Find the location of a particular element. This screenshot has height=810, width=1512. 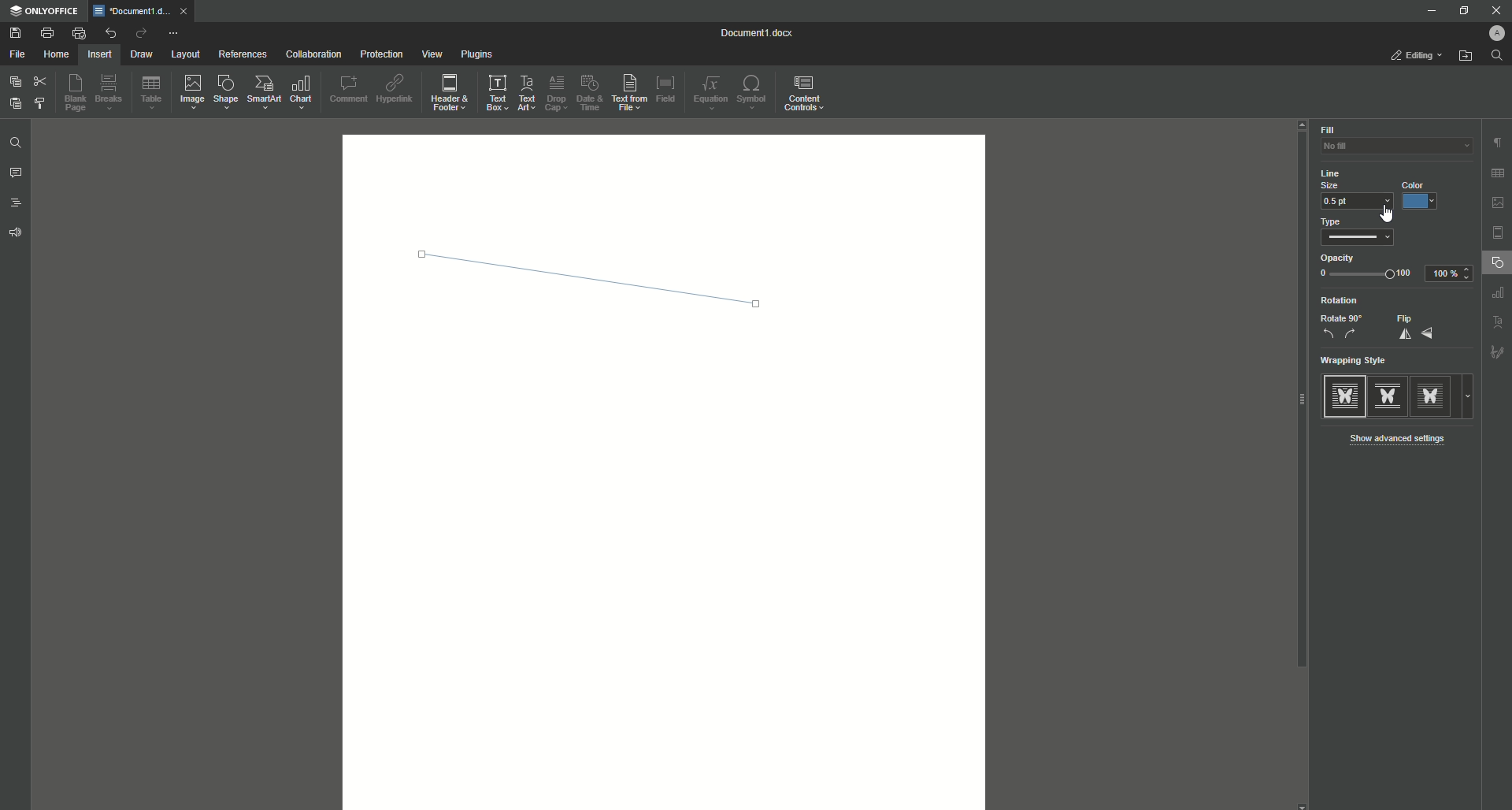

Line Size is located at coordinates (1345, 178).